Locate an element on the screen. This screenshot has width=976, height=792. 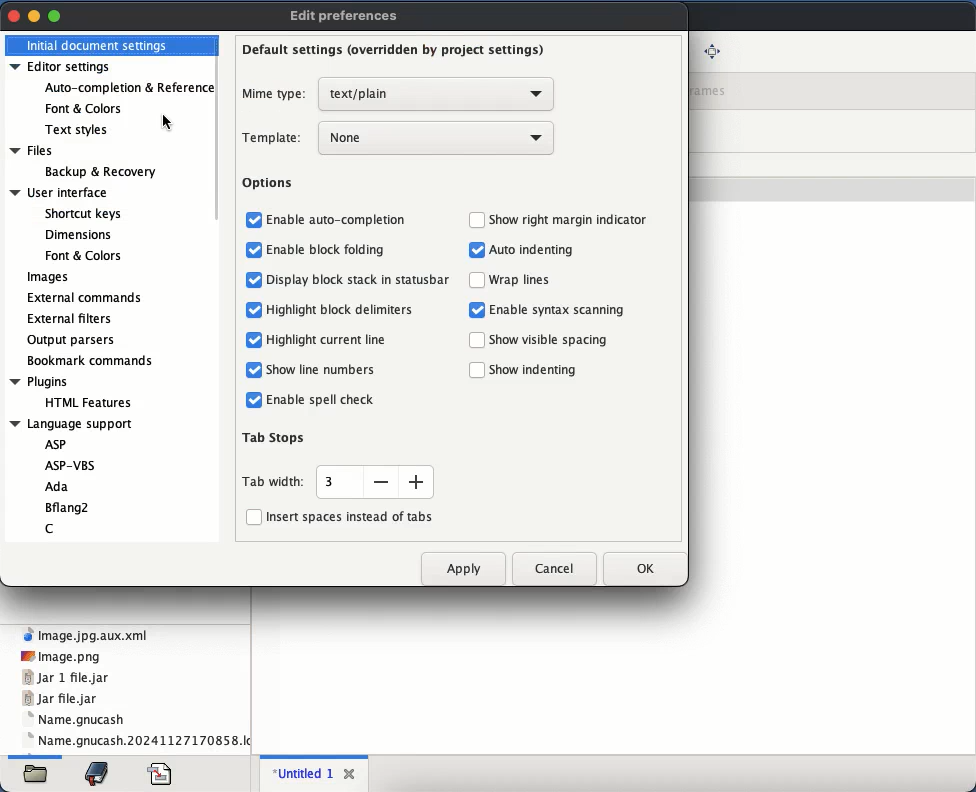
Enable spell check is located at coordinates (325, 399).